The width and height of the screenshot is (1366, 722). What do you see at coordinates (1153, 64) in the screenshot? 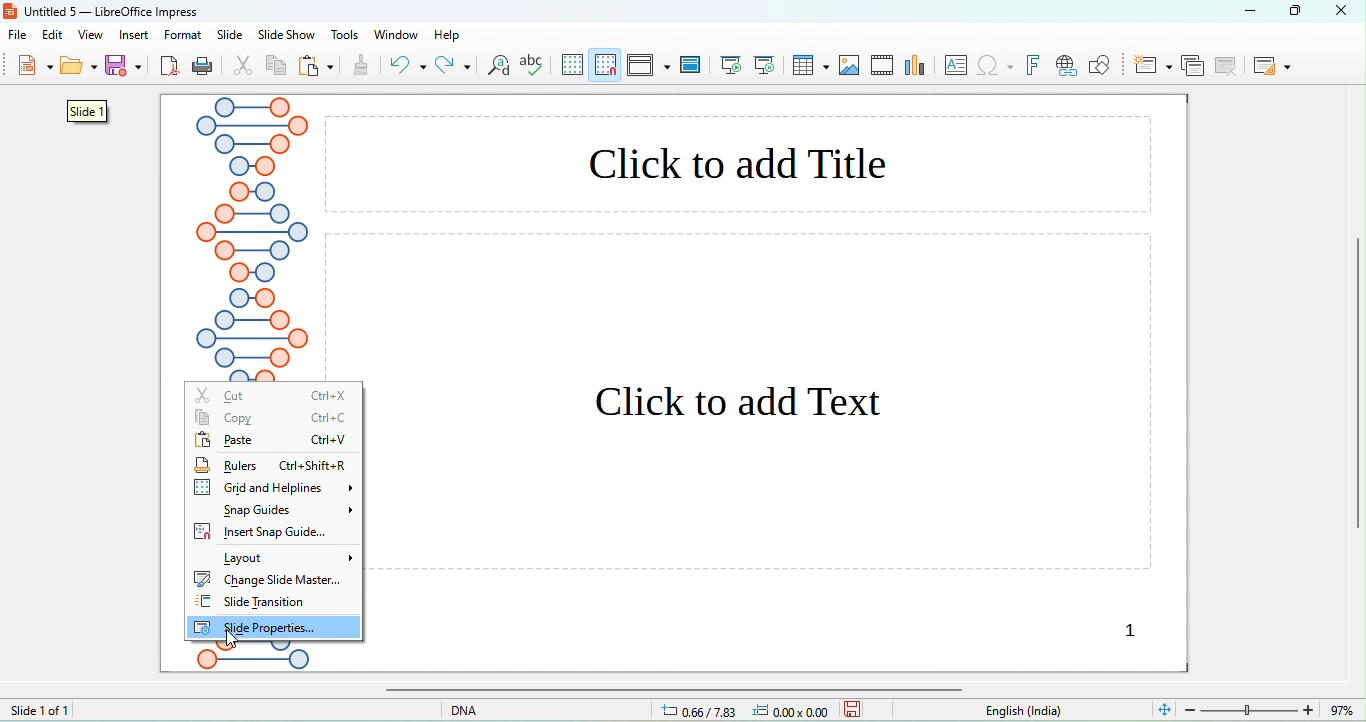
I see `new slide` at bounding box center [1153, 64].